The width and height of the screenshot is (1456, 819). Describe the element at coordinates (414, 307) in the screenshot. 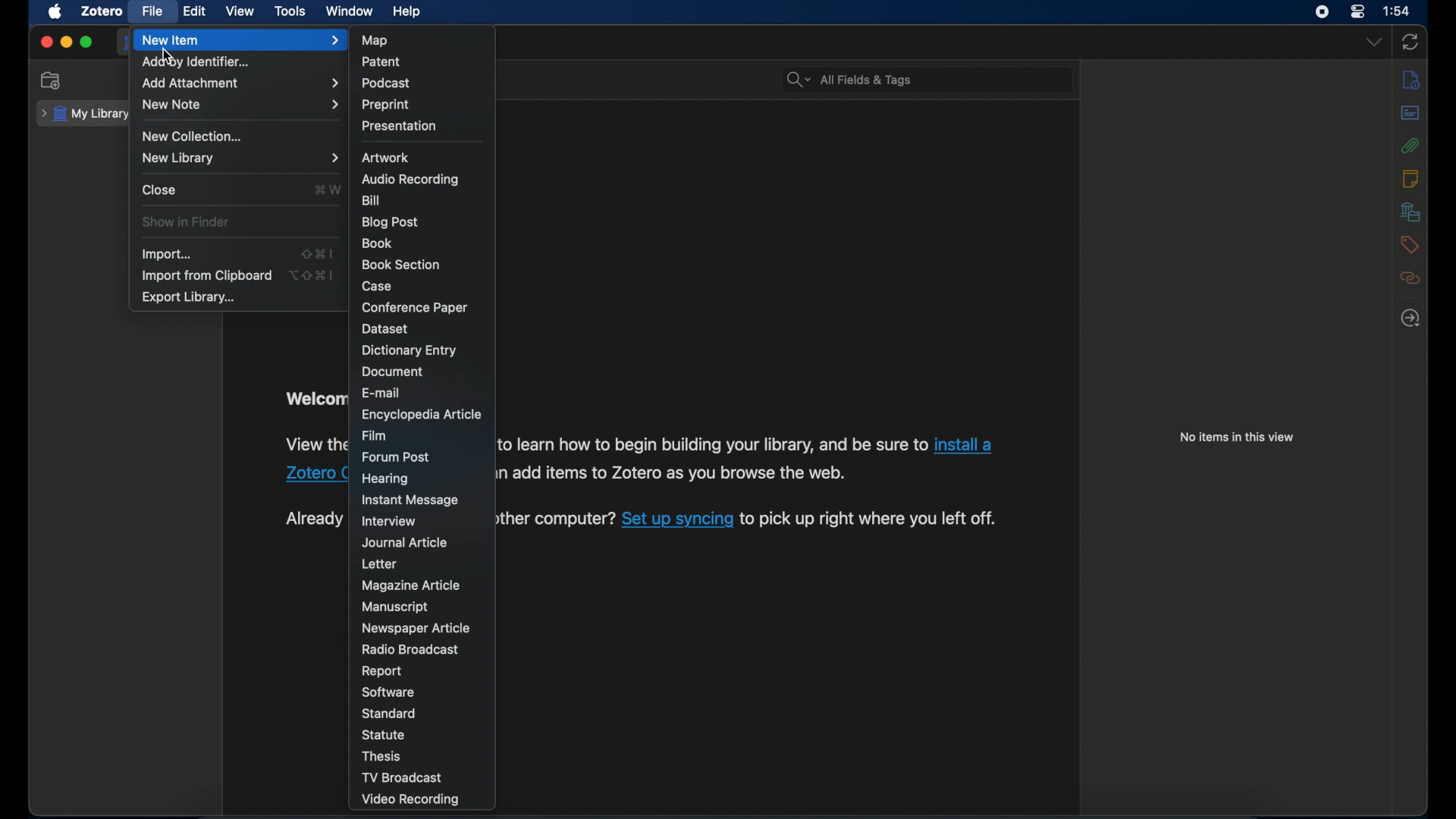

I see `conference paper` at that location.